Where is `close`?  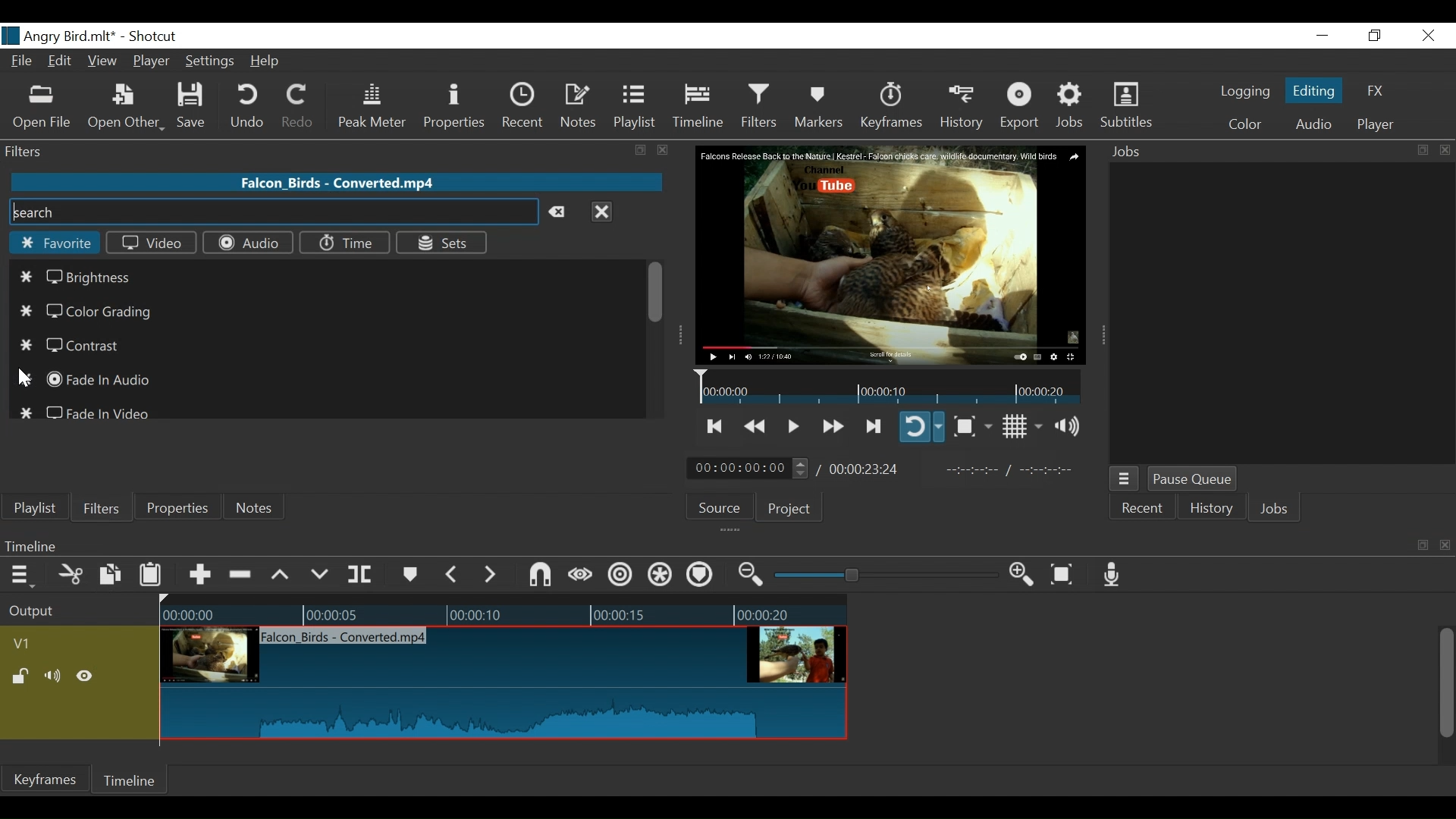 close is located at coordinates (664, 150).